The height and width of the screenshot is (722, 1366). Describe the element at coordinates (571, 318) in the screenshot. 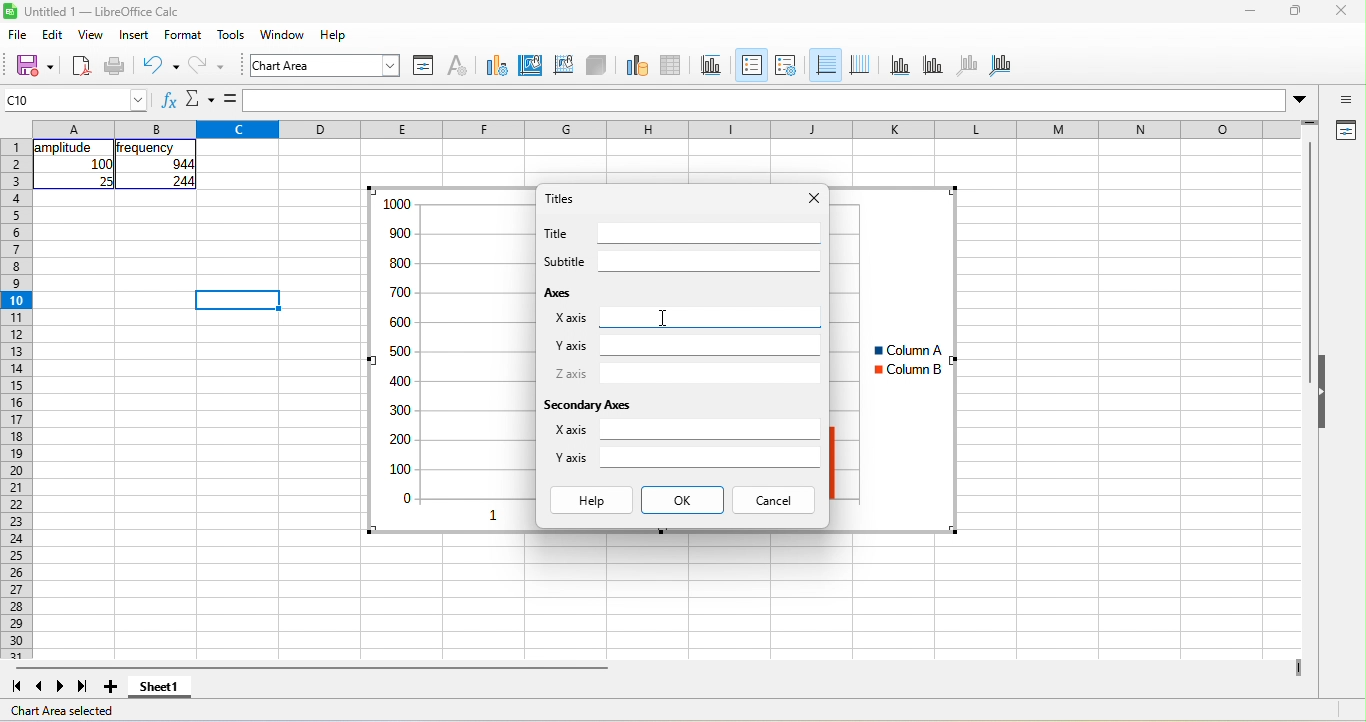

I see `X axis` at that location.